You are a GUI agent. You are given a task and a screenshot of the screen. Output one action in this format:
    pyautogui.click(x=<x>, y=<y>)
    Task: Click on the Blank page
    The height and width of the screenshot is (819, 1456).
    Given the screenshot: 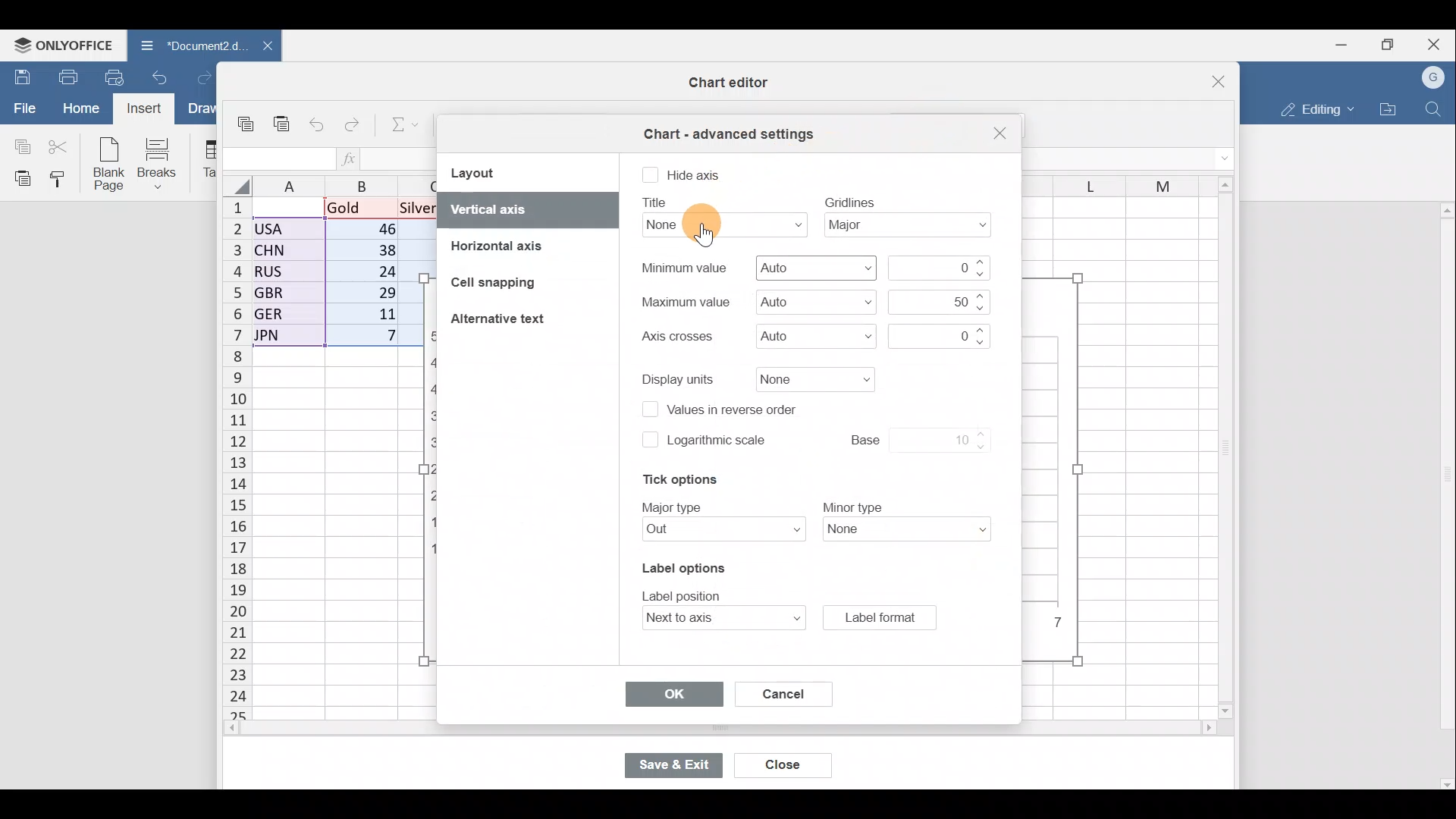 What is the action you would take?
    pyautogui.click(x=111, y=165)
    